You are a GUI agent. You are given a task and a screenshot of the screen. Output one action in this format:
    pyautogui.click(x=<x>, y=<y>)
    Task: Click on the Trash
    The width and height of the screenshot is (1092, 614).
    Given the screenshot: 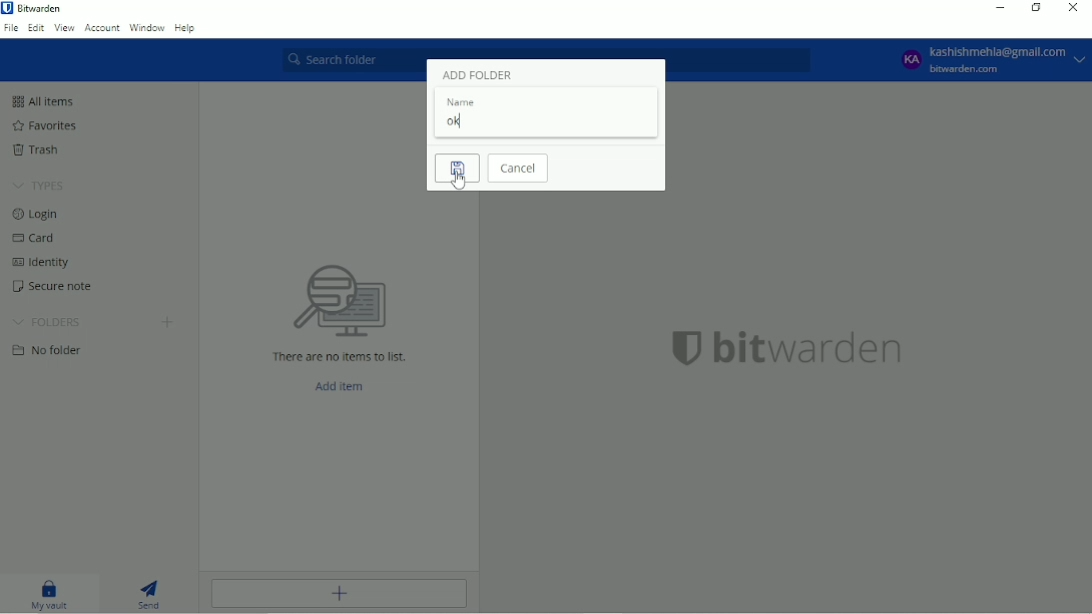 What is the action you would take?
    pyautogui.click(x=36, y=150)
    